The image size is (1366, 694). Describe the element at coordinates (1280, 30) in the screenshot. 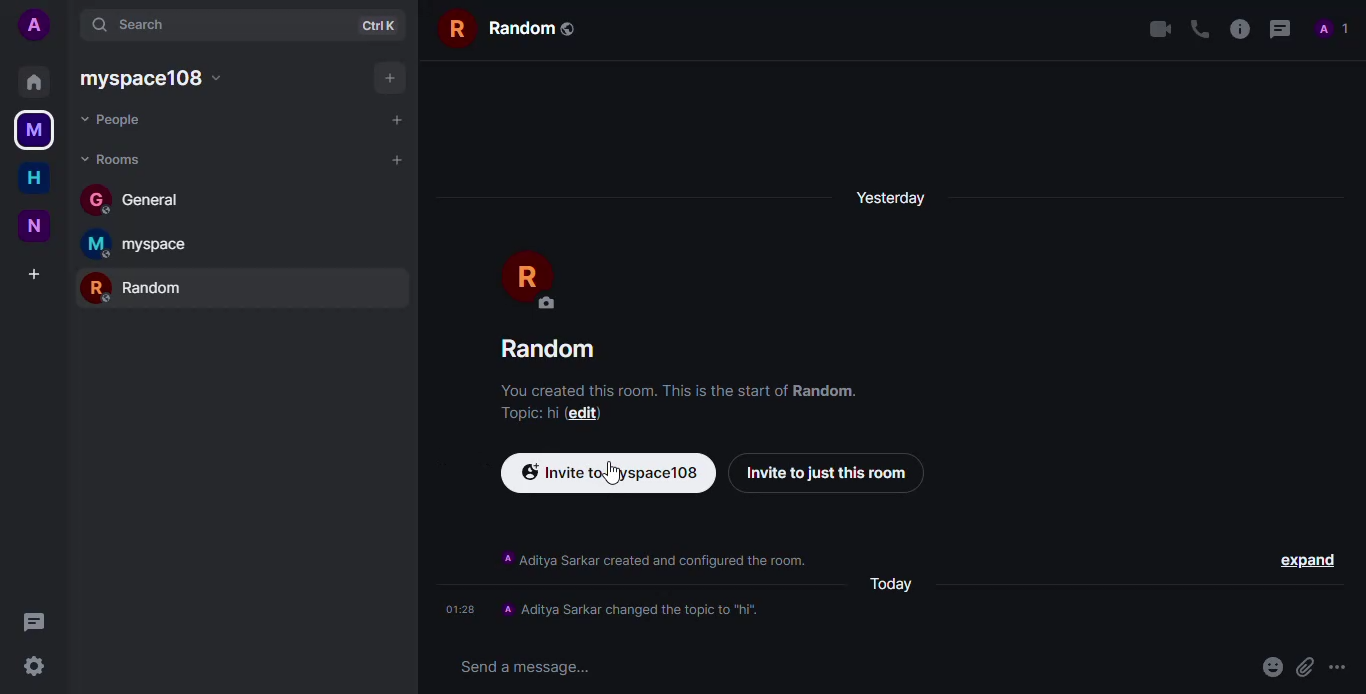

I see `threads` at that location.